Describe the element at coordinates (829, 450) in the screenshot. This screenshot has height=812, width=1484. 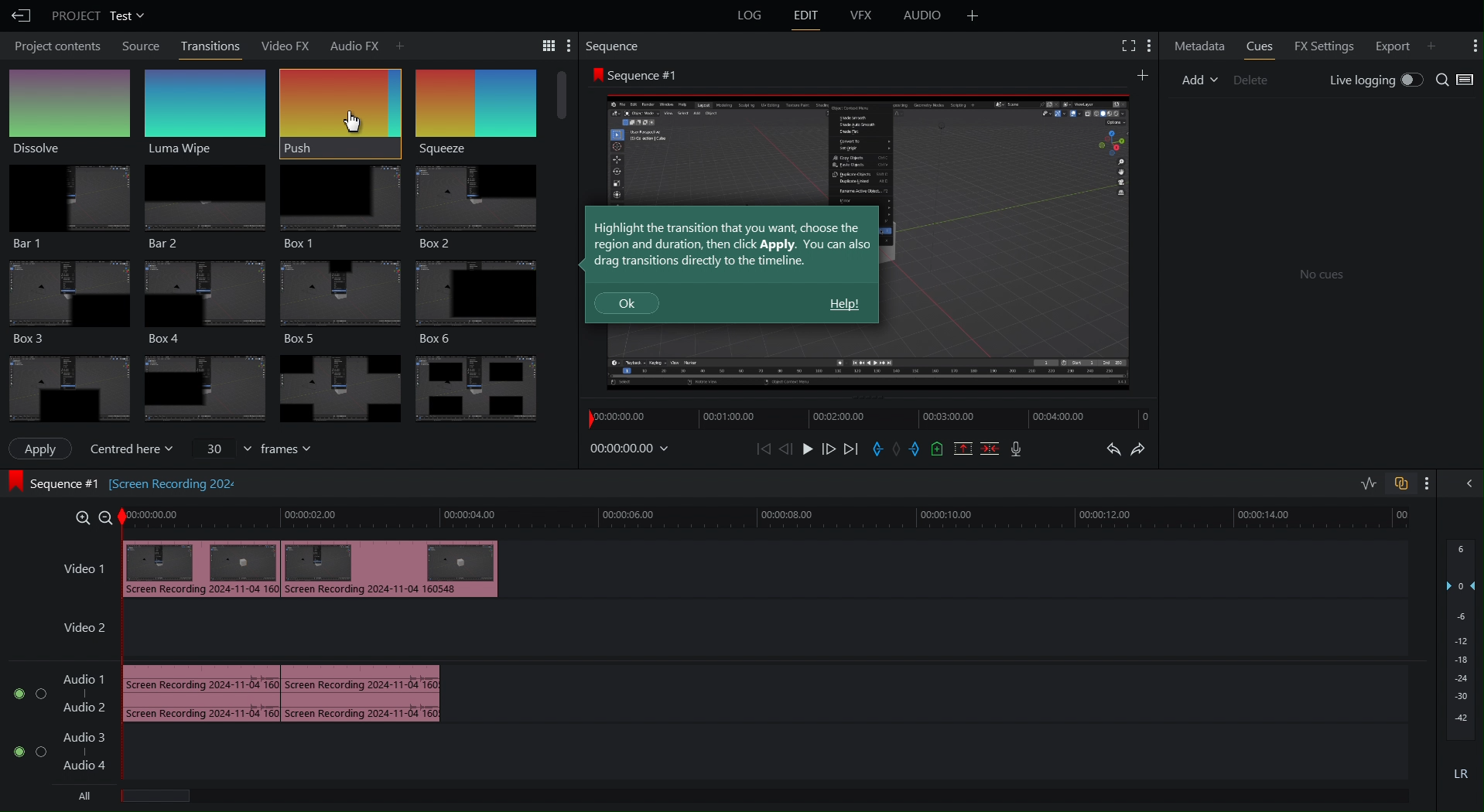
I see `Move Forward` at that location.